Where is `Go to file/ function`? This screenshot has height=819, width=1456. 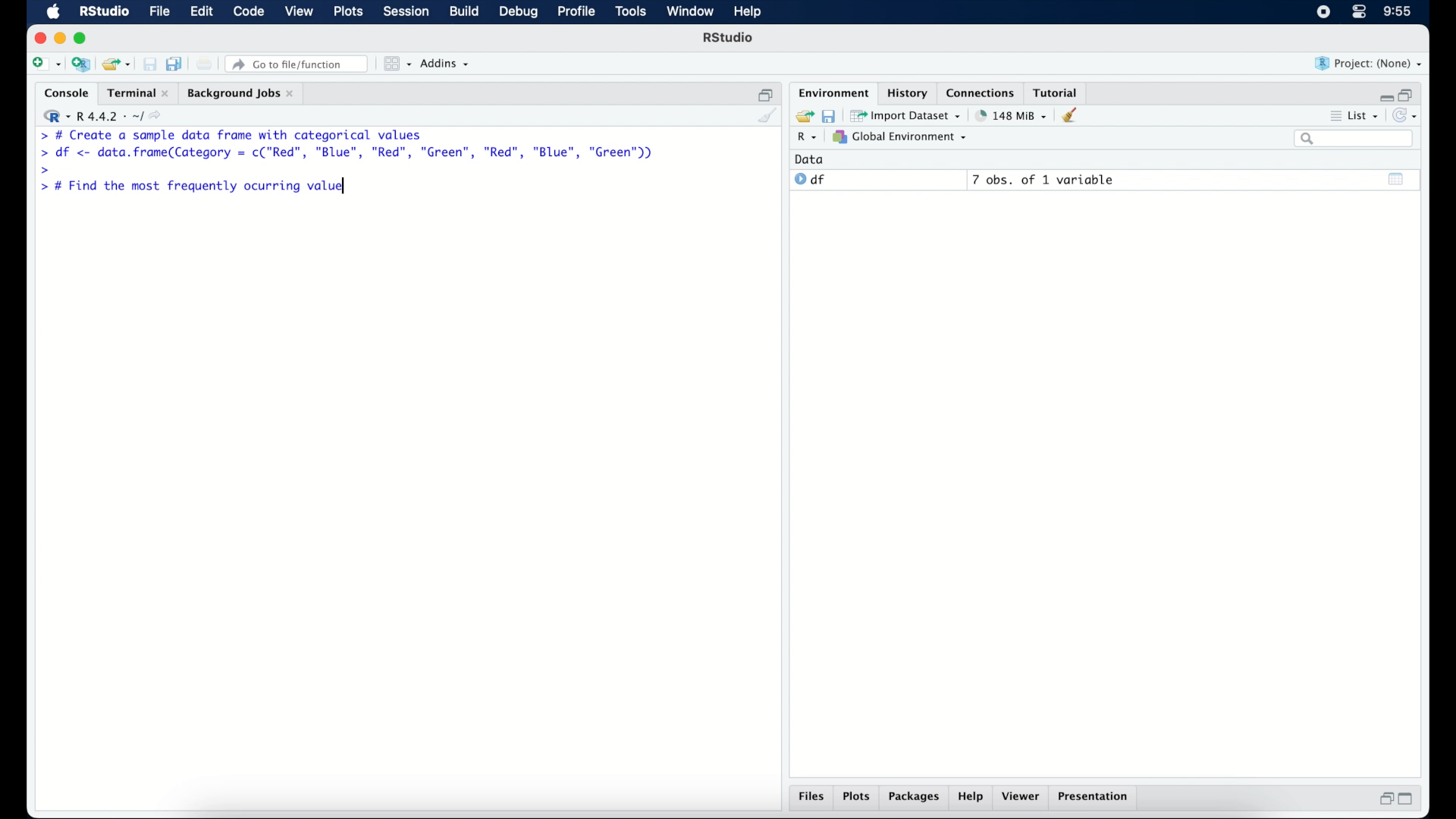
Go to file/ function is located at coordinates (300, 63).